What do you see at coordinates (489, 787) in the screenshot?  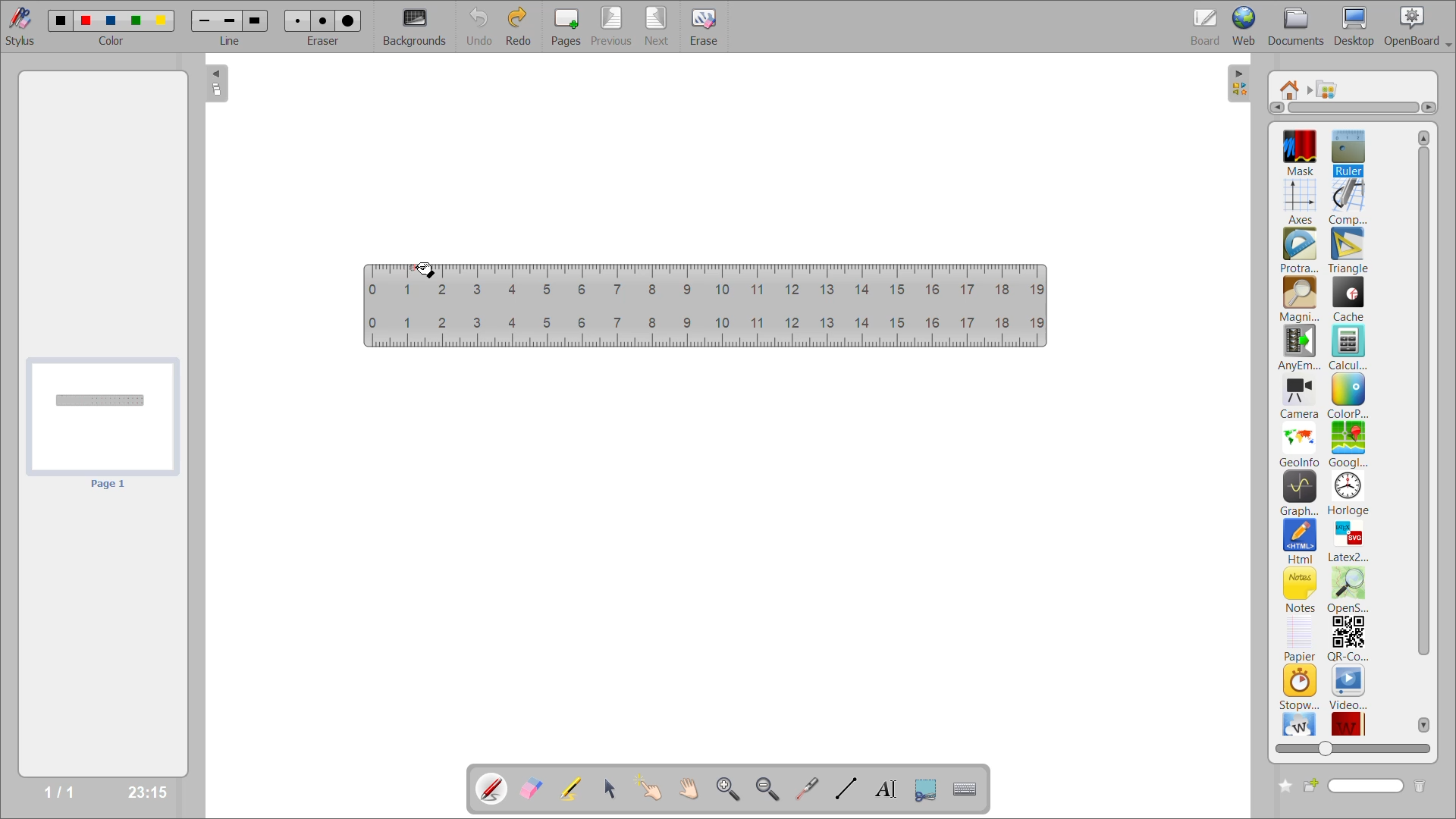 I see `annotate document` at bounding box center [489, 787].